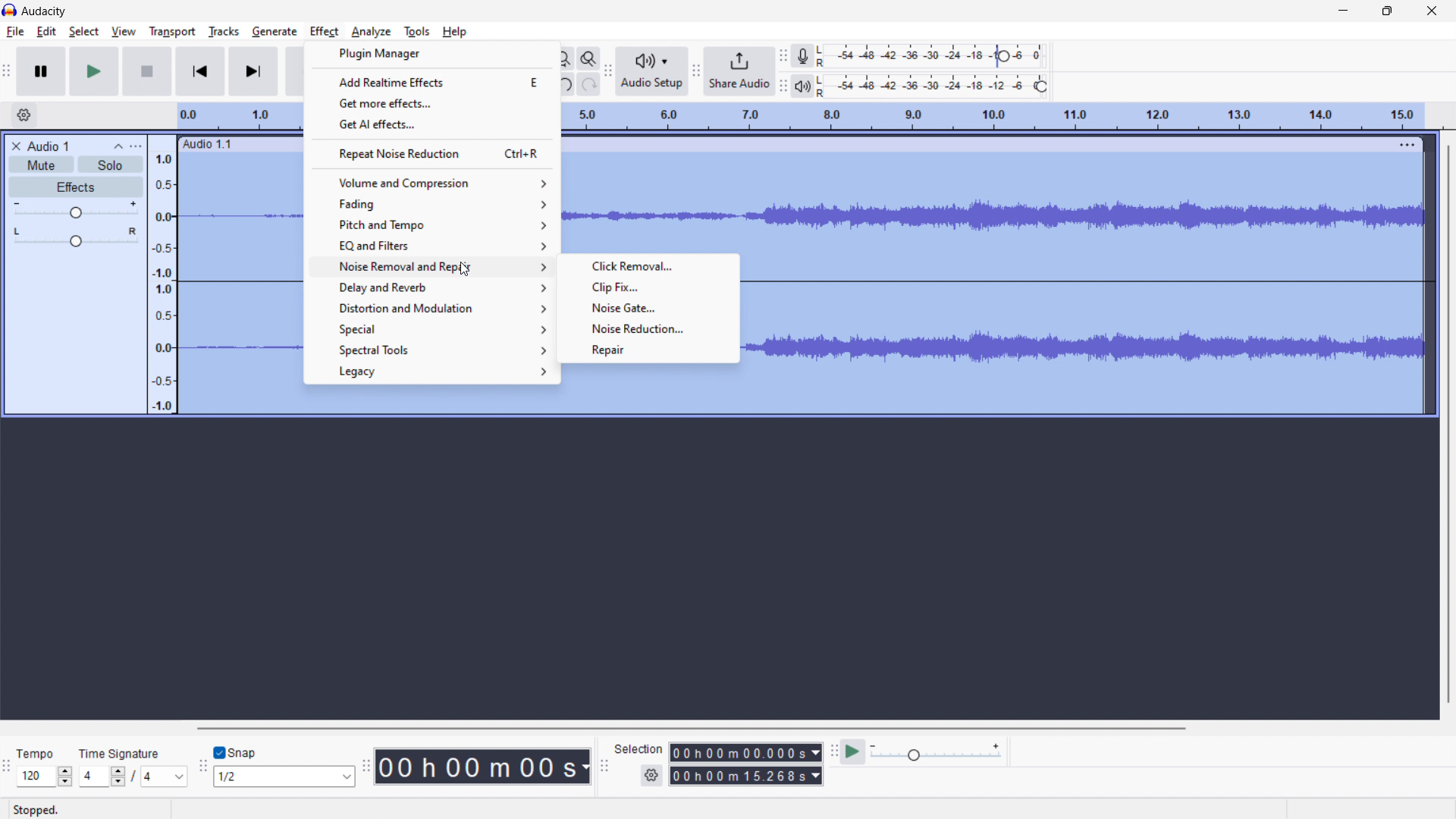 This screenshot has height=819, width=1456. I want to click on title, so click(45, 11).